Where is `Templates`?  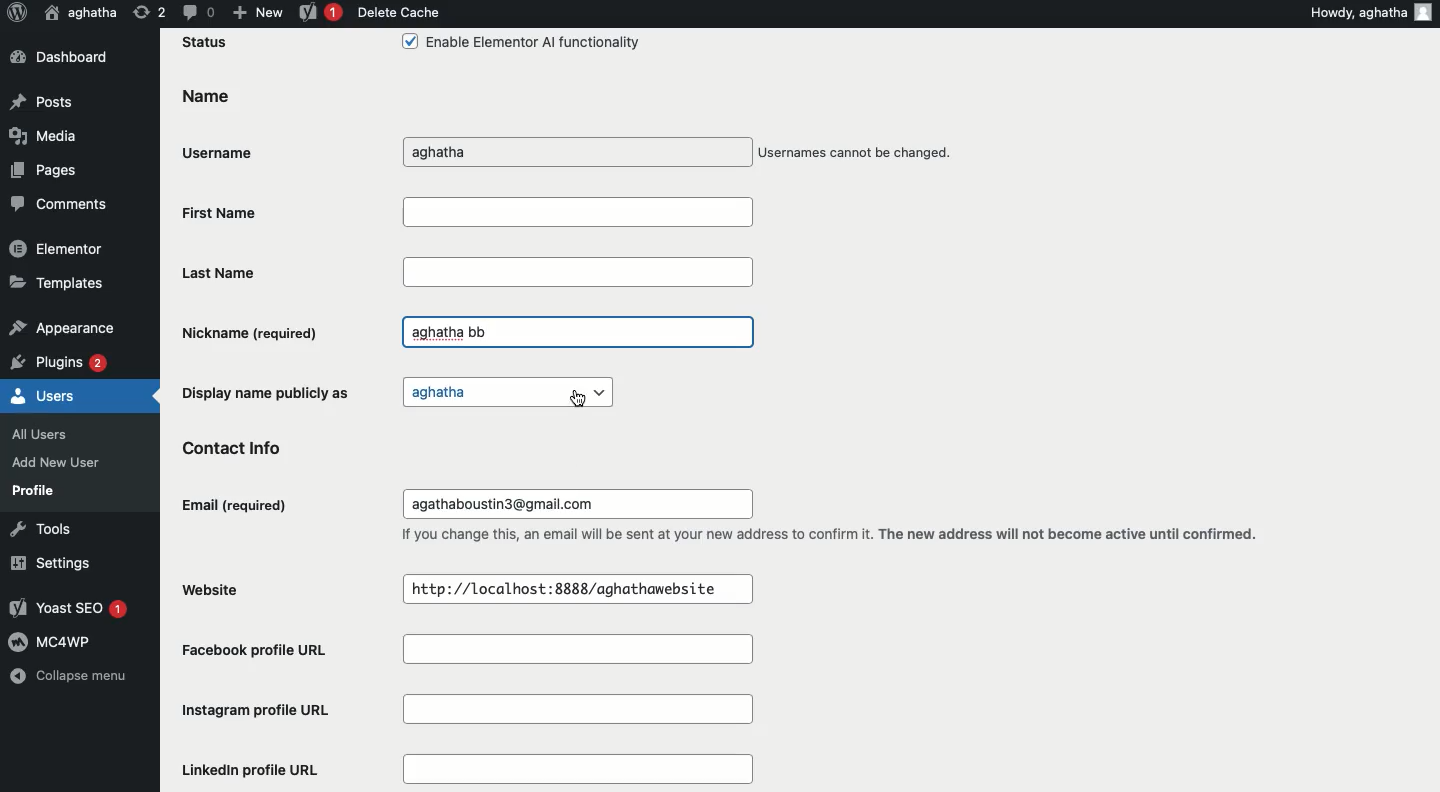 Templates is located at coordinates (58, 281).